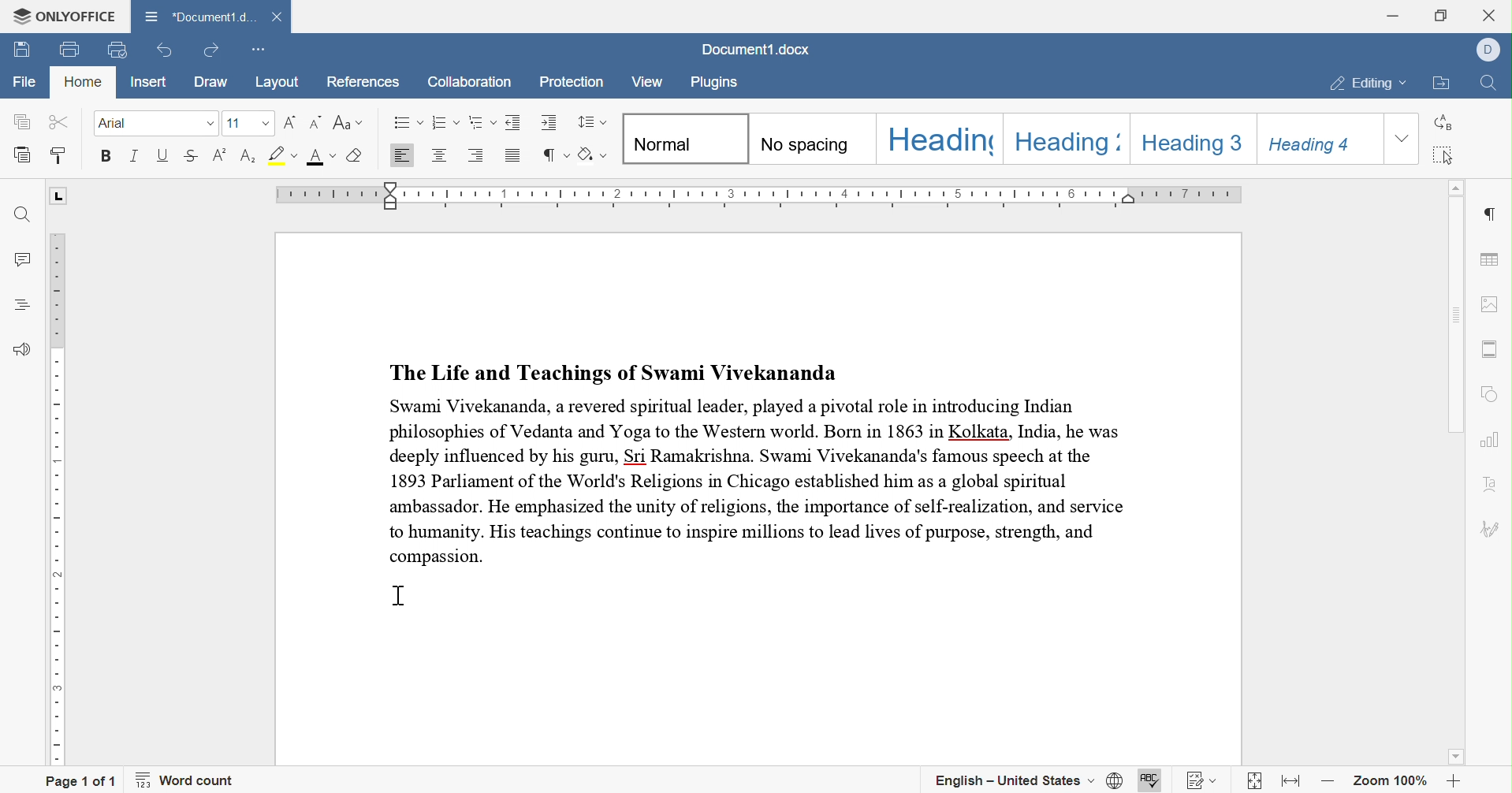 The height and width of the screenshot is (793, 1512). I want to click on ONLYOFFICE, so click(65, 17).